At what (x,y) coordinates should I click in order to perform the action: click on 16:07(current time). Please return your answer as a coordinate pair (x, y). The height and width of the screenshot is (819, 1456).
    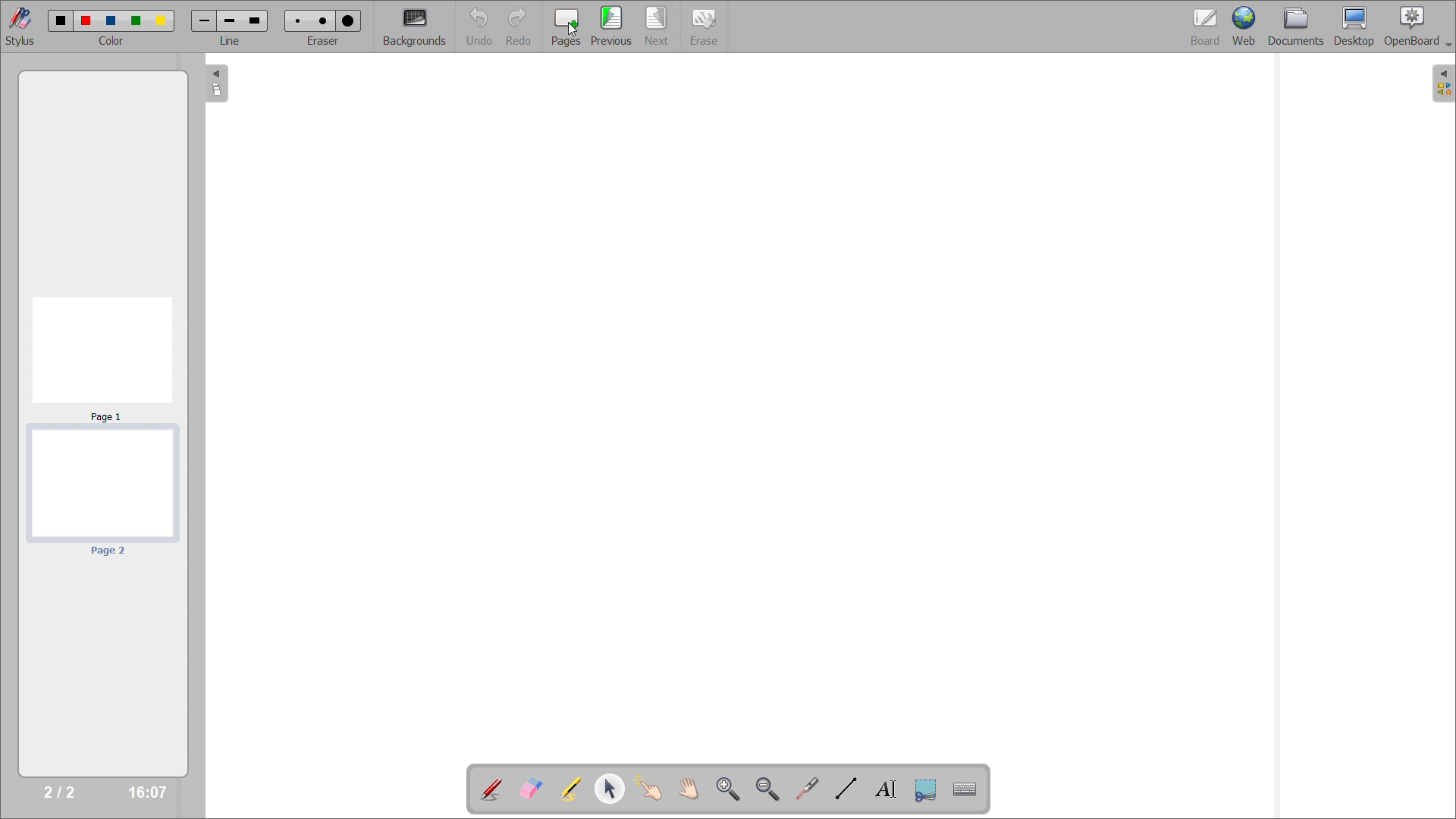
    Looking at the image, I should click on (147, 792).